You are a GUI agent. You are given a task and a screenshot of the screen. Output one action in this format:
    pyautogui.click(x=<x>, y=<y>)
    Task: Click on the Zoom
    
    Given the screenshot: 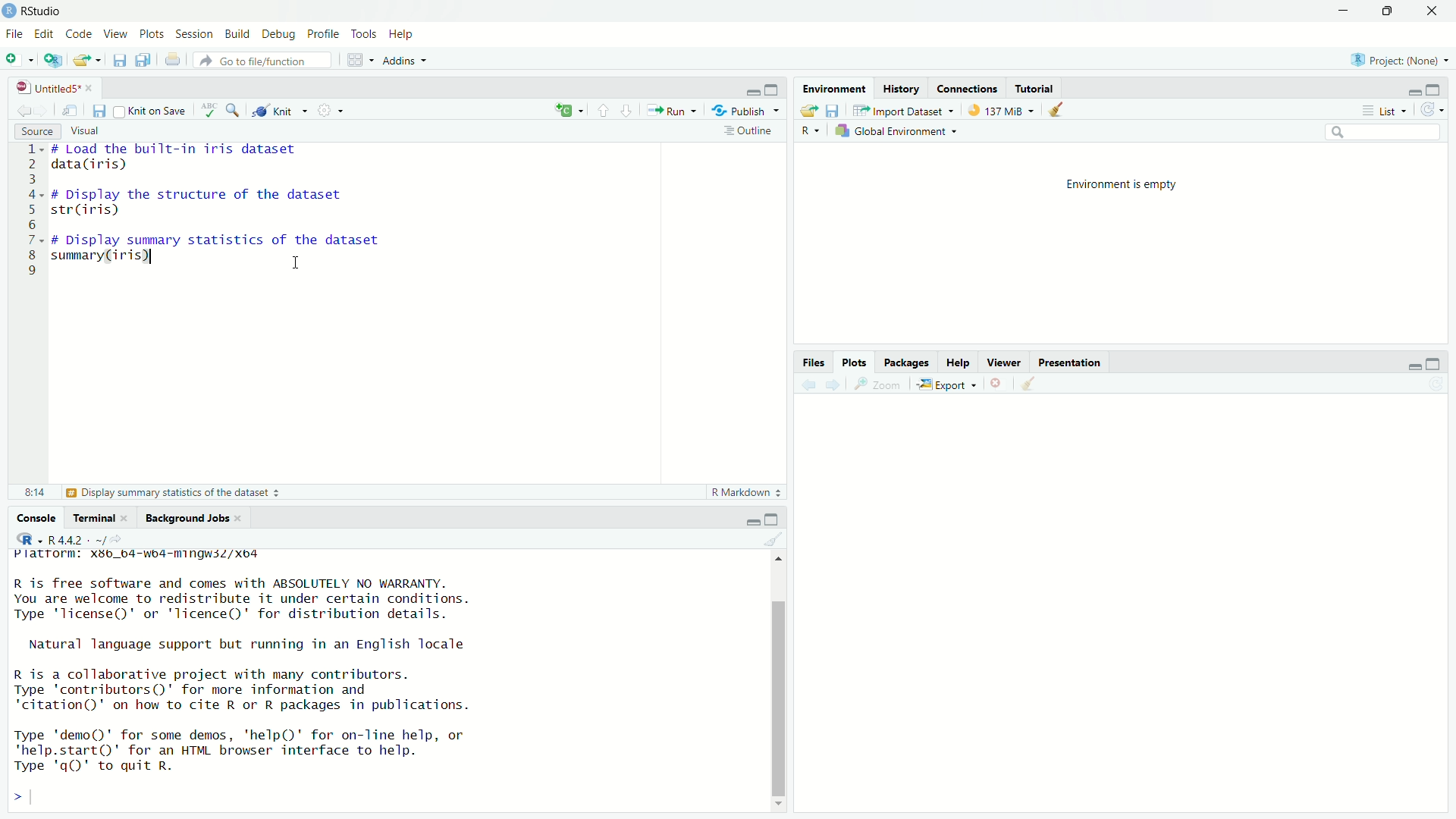 What is the action you would take?
    pyautogui.click(x=876, y=384)
    